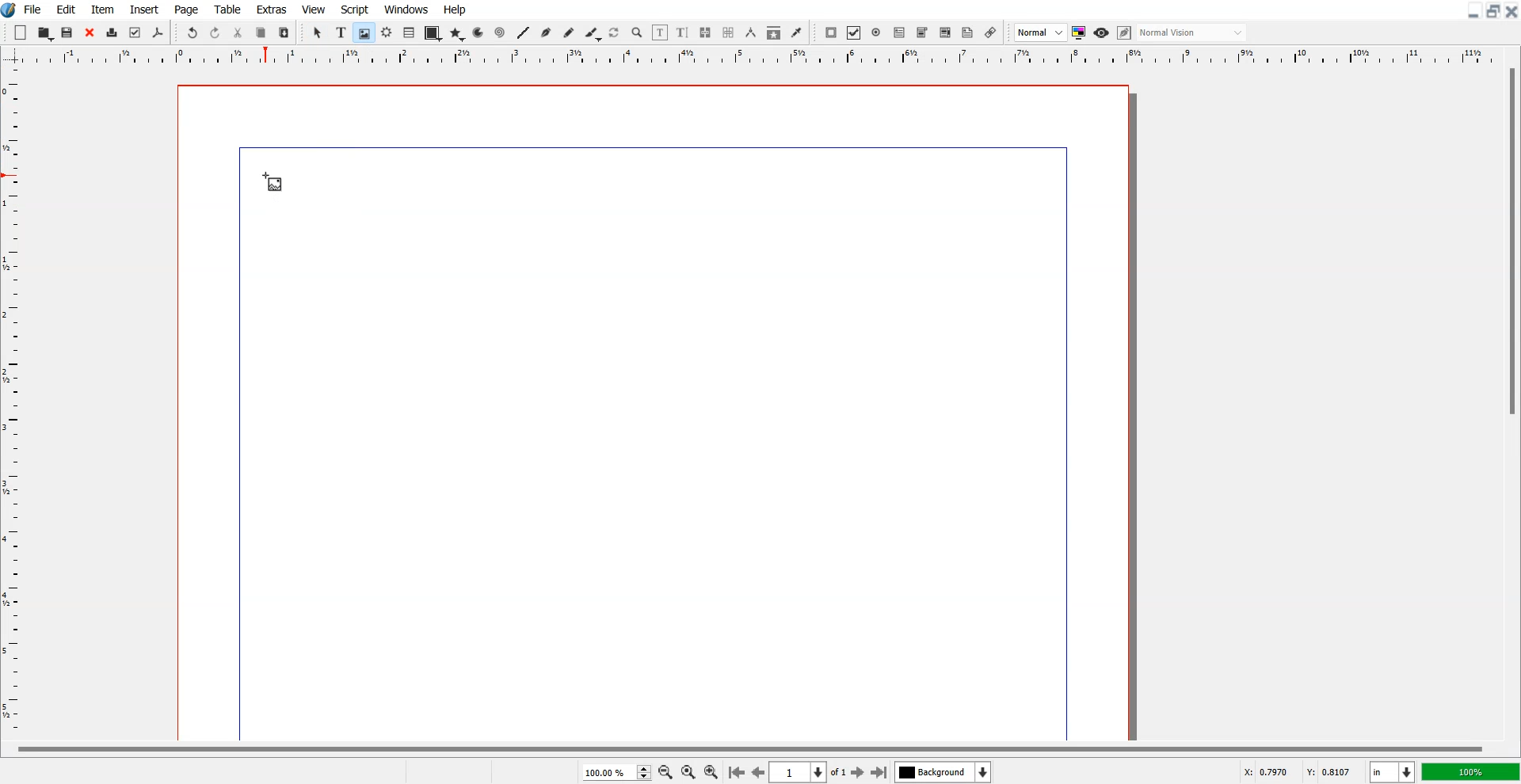 This screenshot has height=784, width=1521. Describe the element at coordinates (409, 33) in the screenshot. I see `Table` at that location.